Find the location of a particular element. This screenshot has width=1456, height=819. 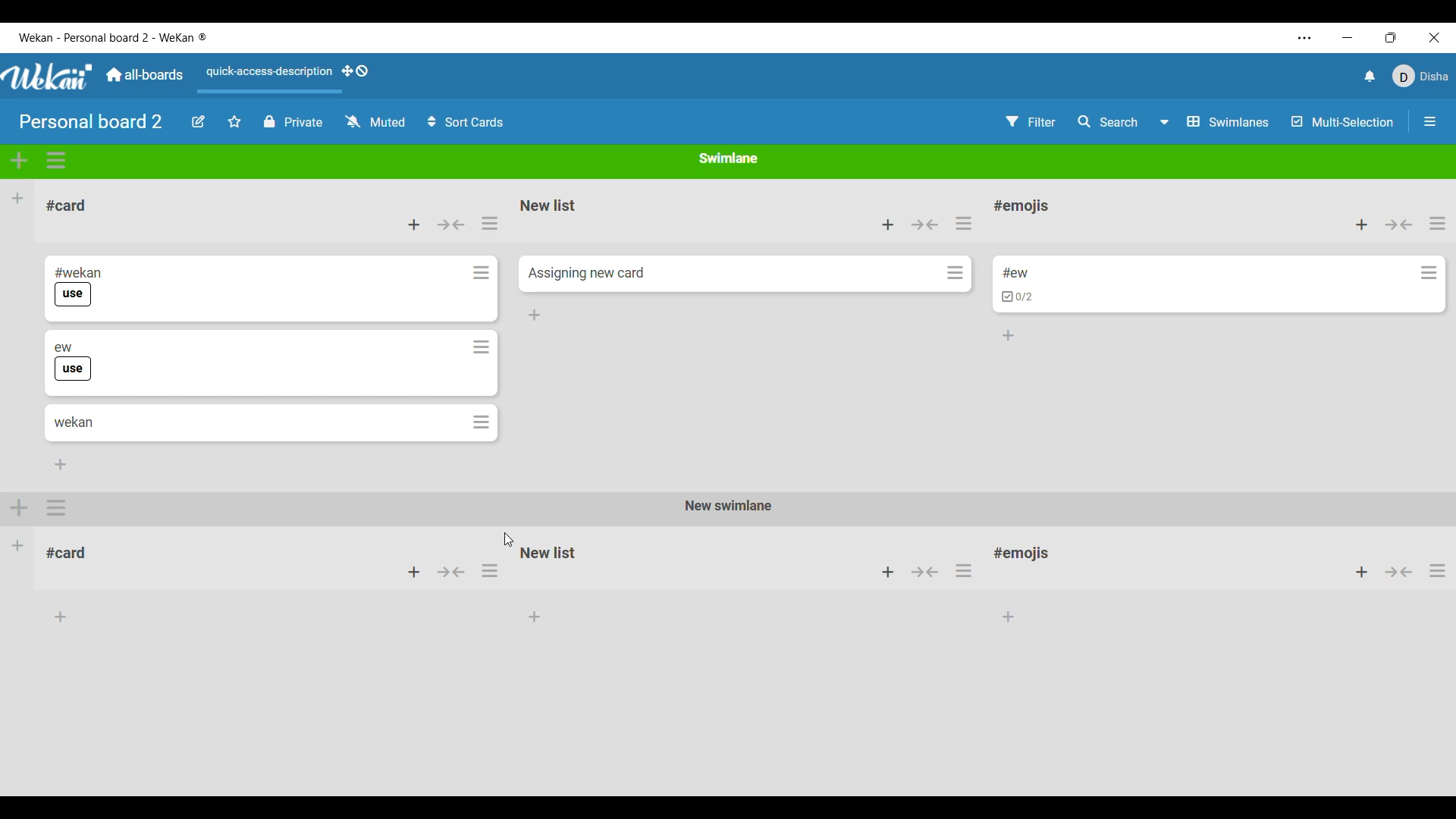

card actions is located at coordinates (481, 421).